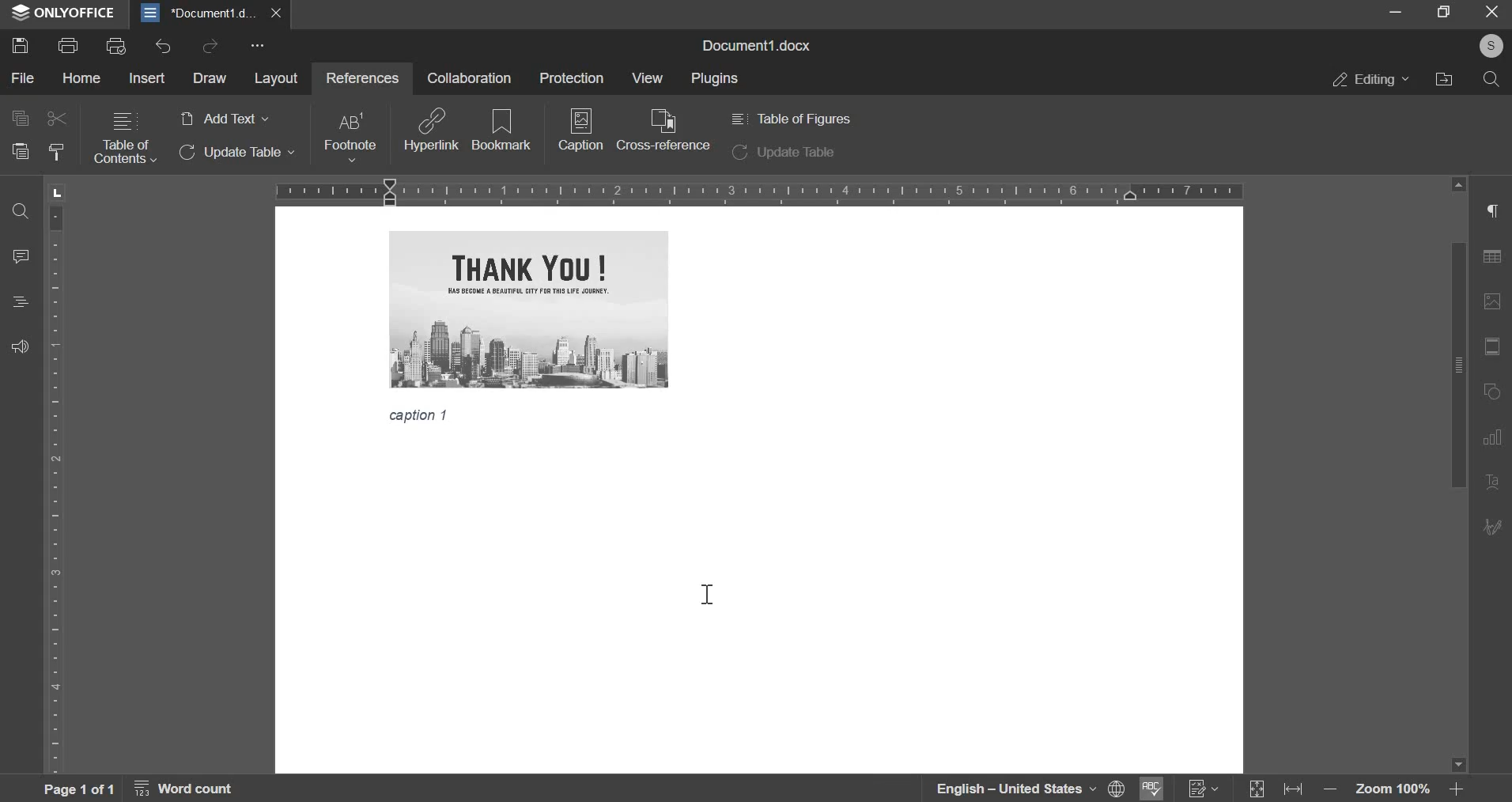  What do you see at coordinates (280, 13) in the screenshot?
I see `close` at bounding box center [280, 13].